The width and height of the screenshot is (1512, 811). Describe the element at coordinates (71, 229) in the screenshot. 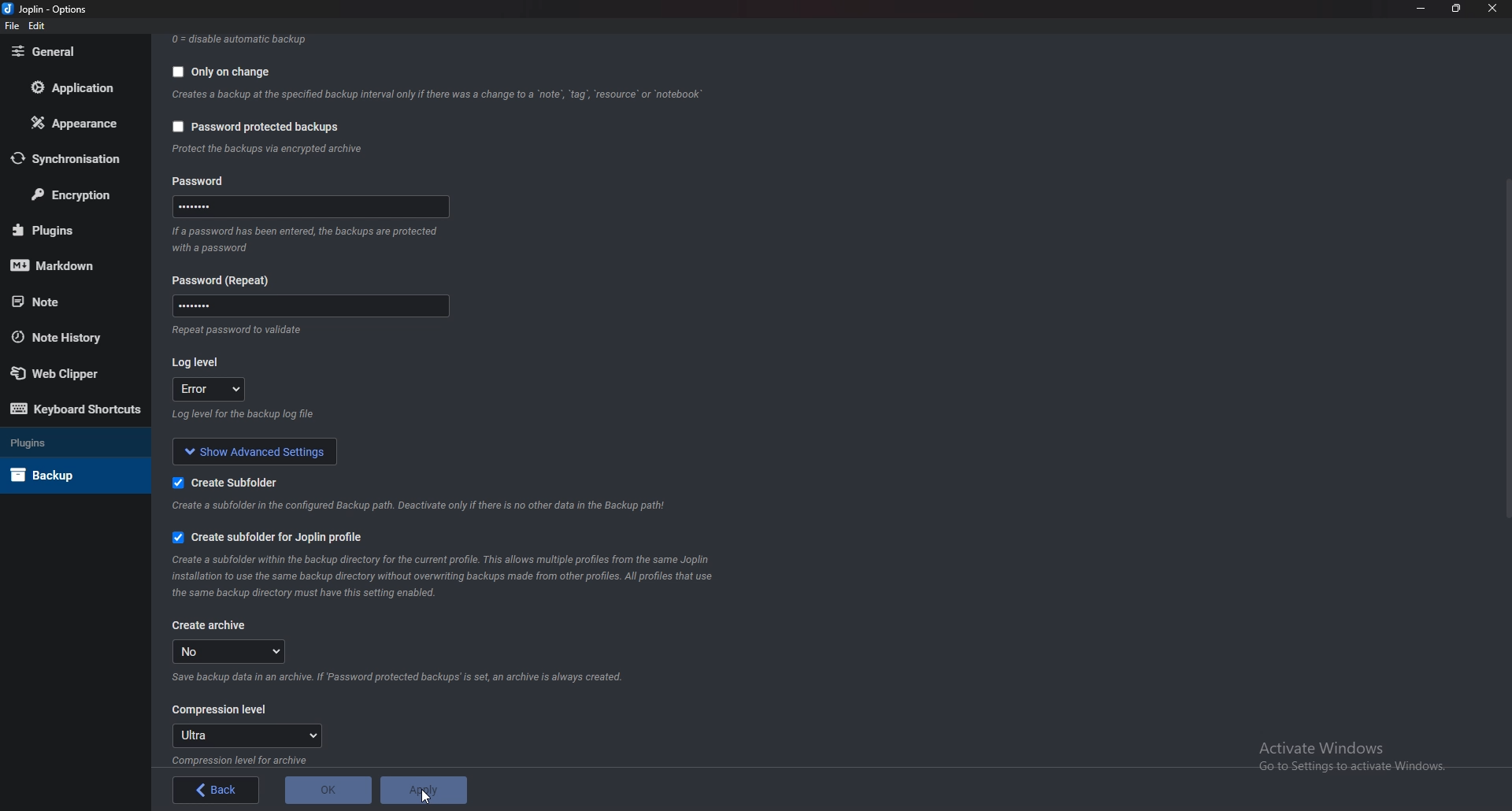

I see `Plugins` at that location.